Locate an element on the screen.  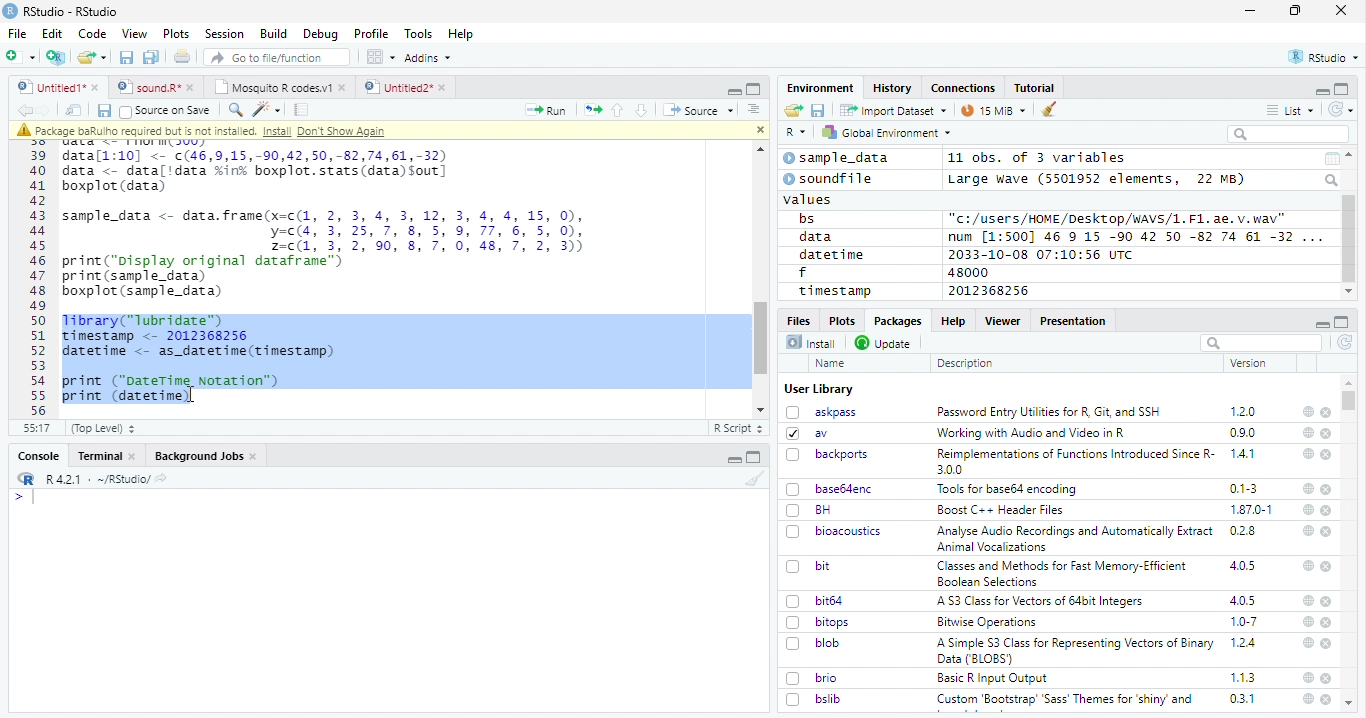
scroll bar is located at coordinates (762, 337).